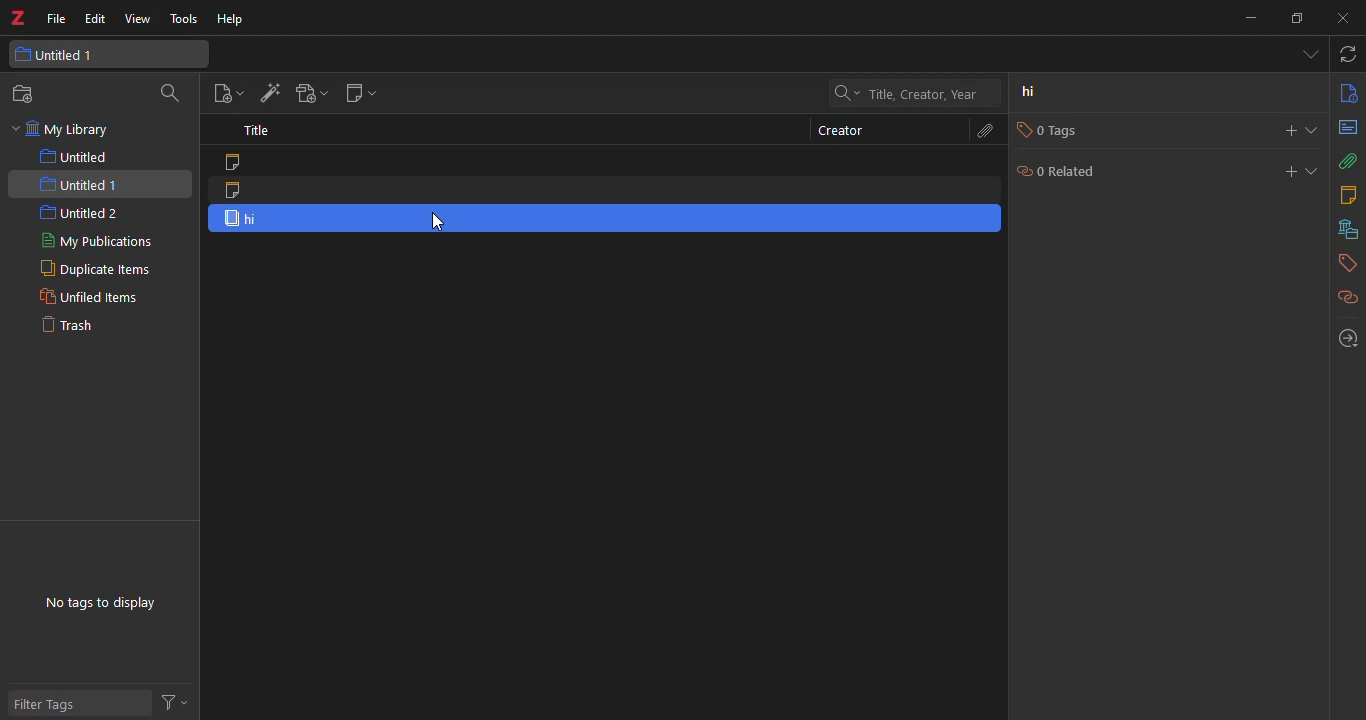 The height and width of the screenshot is (720, 1366). What do you see at coordinates (982, 130) in the screenshot?
I see `attach` at bounding box center [982, 130].